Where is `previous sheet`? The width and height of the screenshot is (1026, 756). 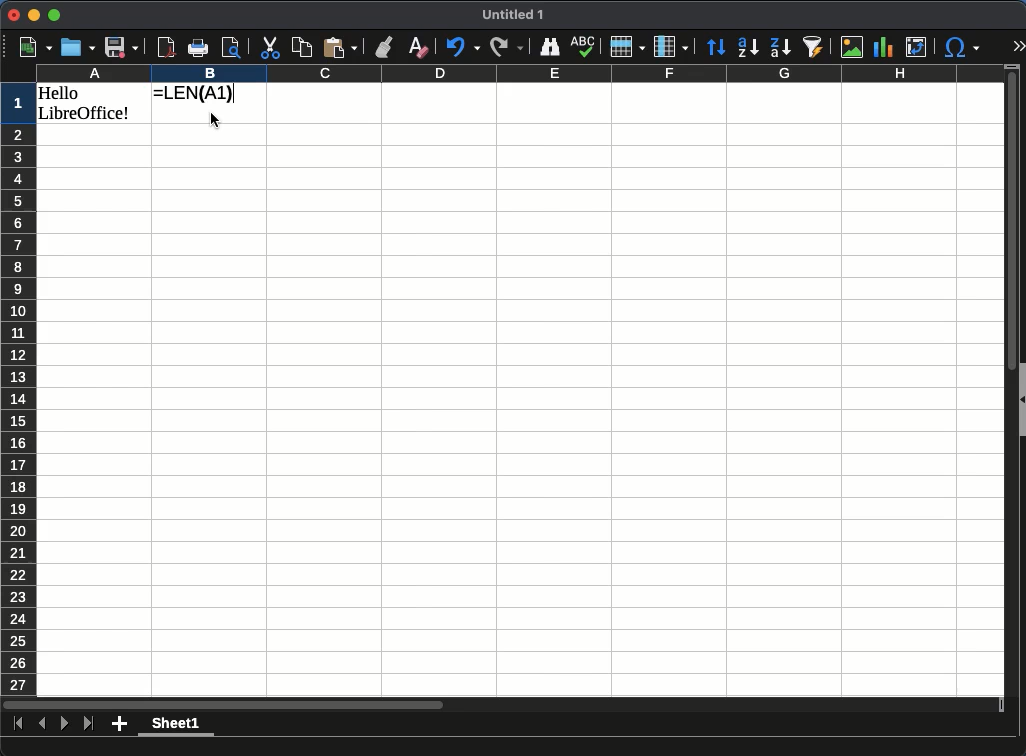 previous sheet is located at coordinates (42, 720).